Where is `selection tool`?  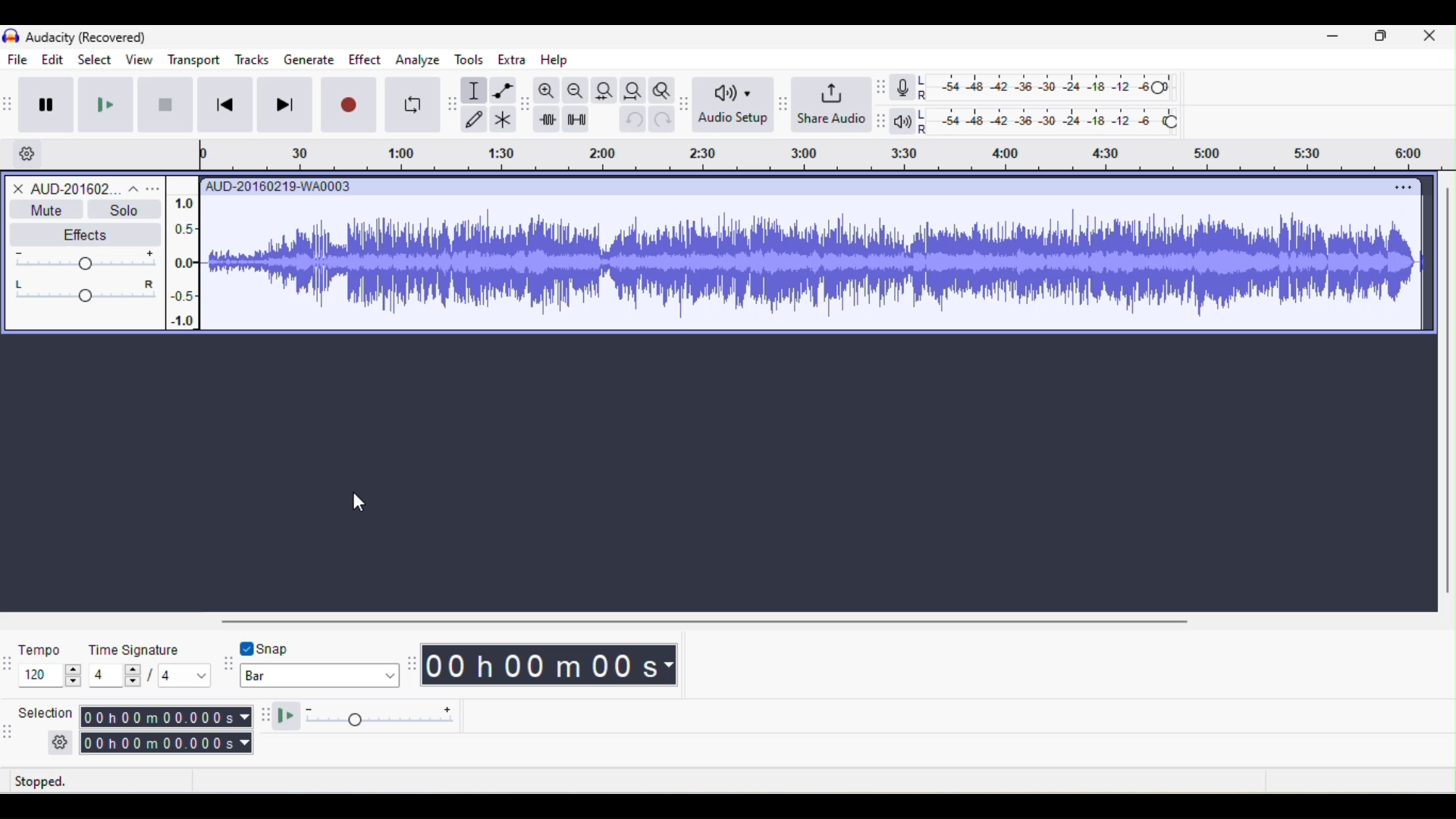
selection tool is located at coordinates (475, 91).